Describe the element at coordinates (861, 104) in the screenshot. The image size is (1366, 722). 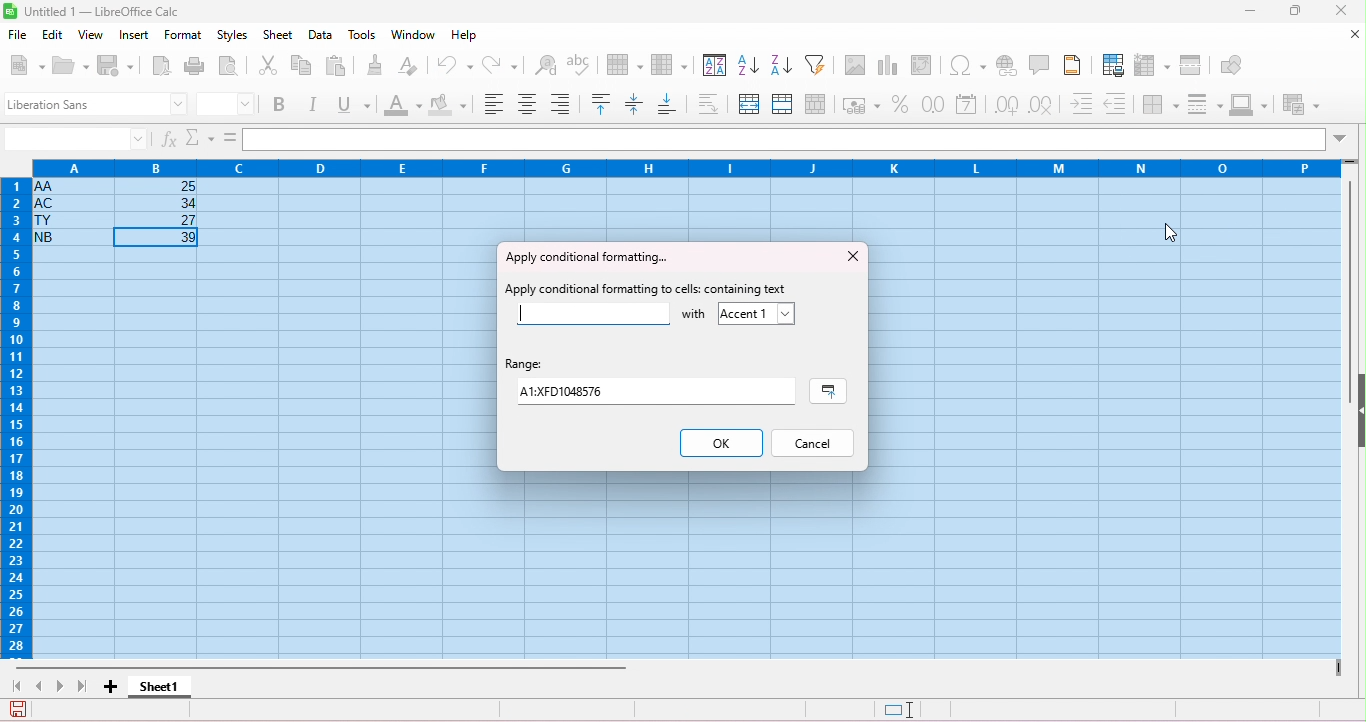
I see `format as currency` at that location.